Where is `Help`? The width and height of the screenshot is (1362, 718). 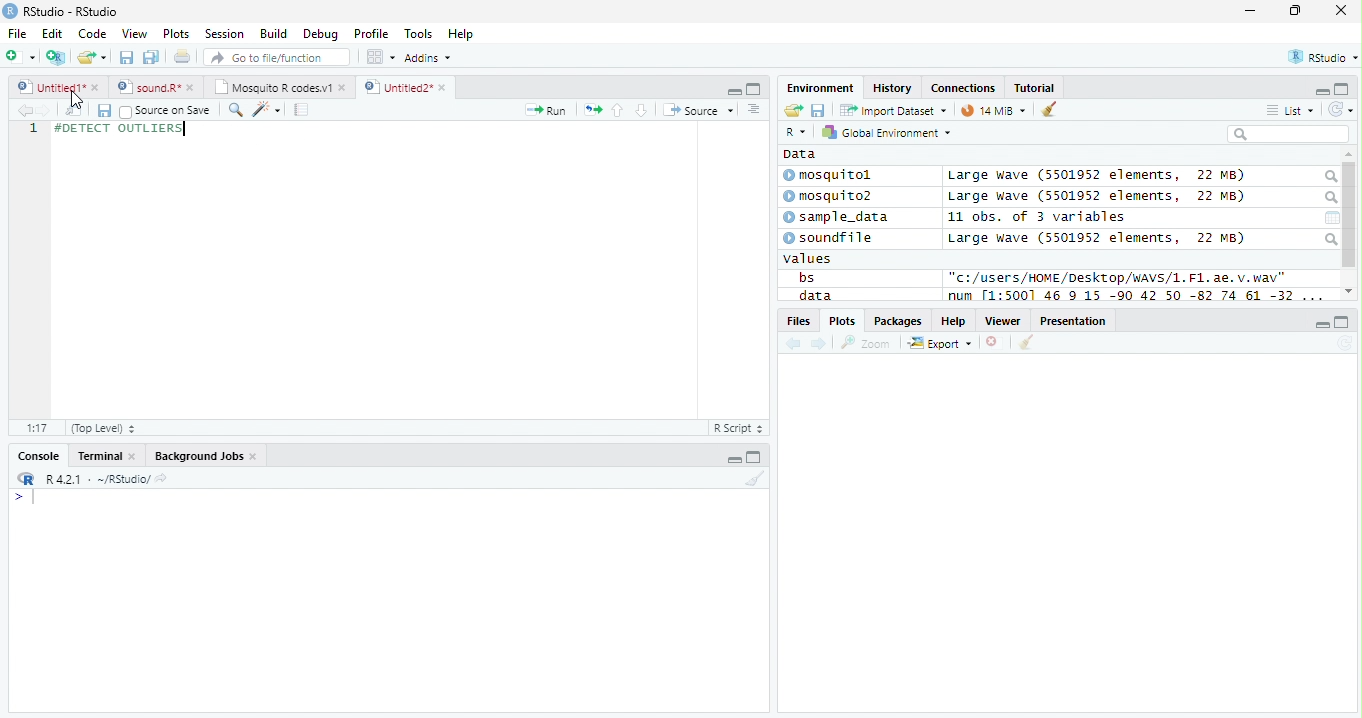 Help is located at coordinates (954, 320).